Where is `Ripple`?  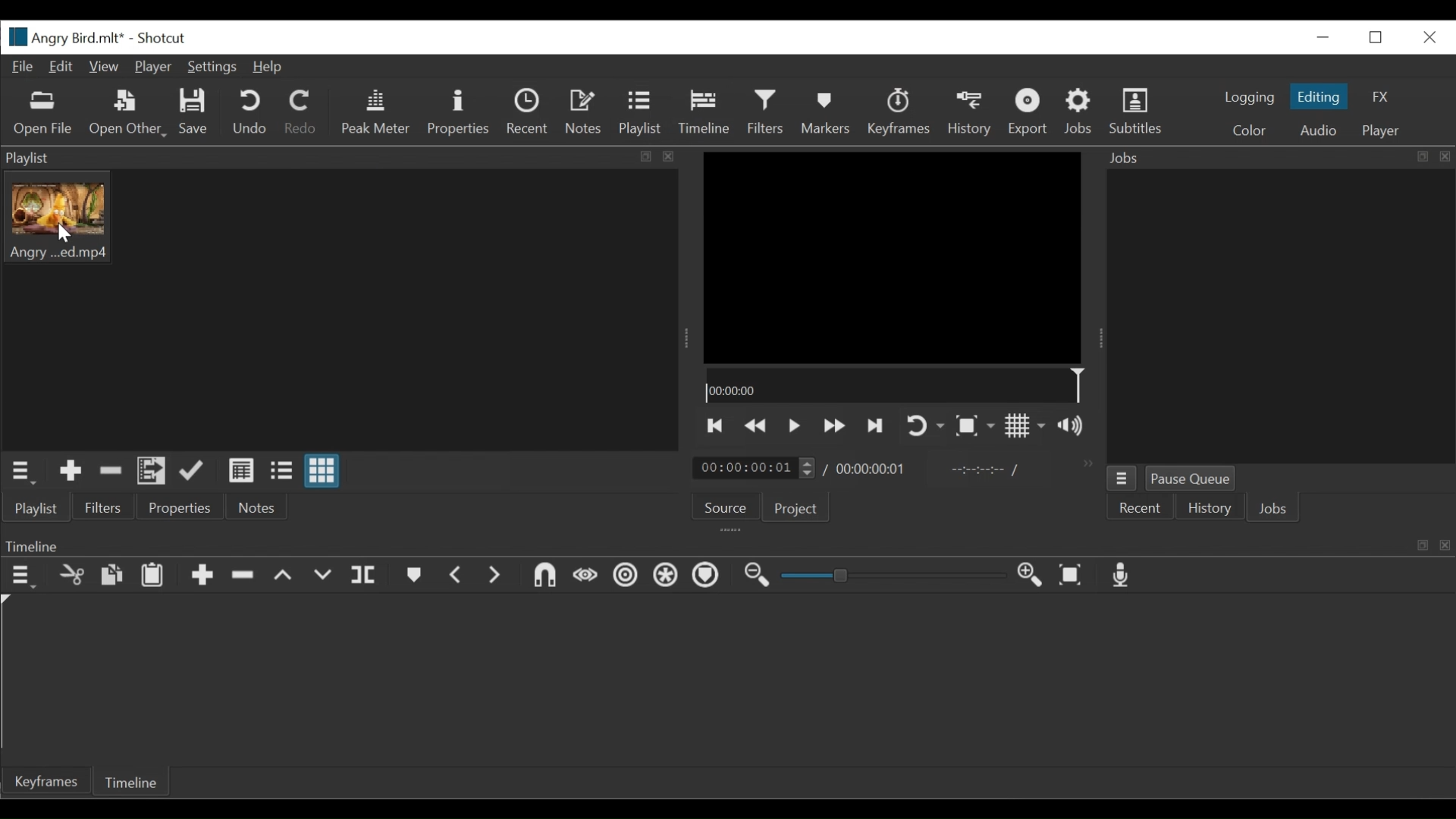 Ripple is located at coordinates (627, 577).